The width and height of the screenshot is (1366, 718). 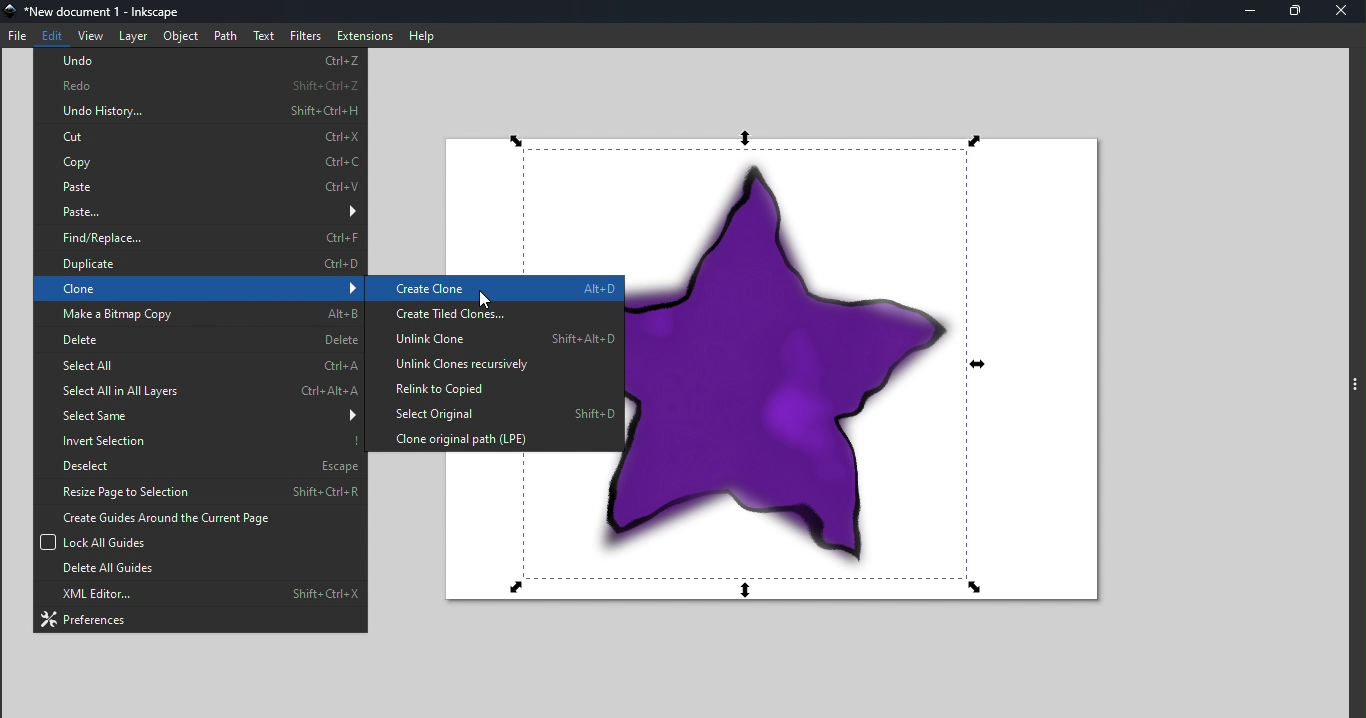 I want to click on Select all in all layers, so click(x=196, y=391).